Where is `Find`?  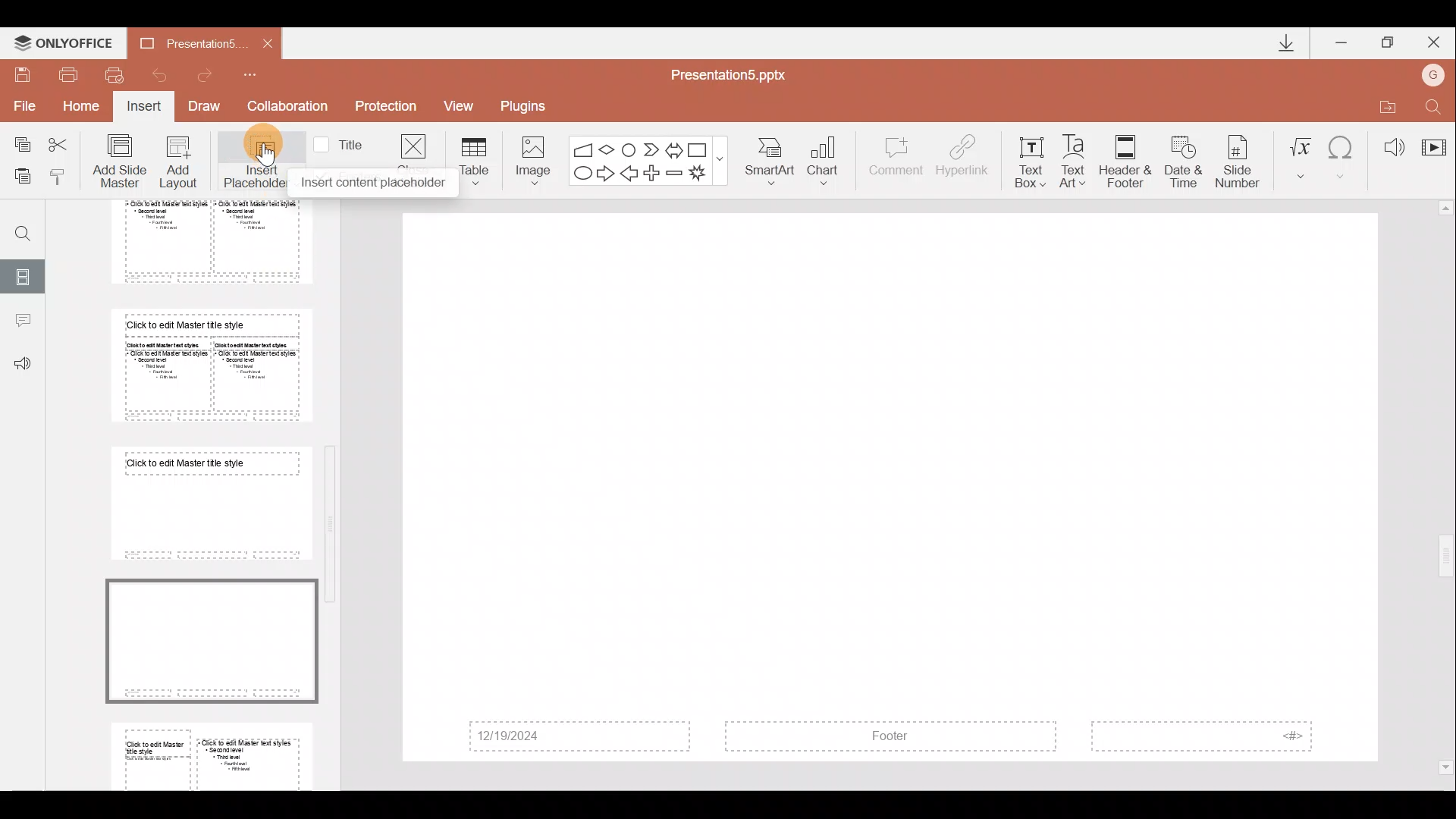
Find is located at coordinates (17, 227).